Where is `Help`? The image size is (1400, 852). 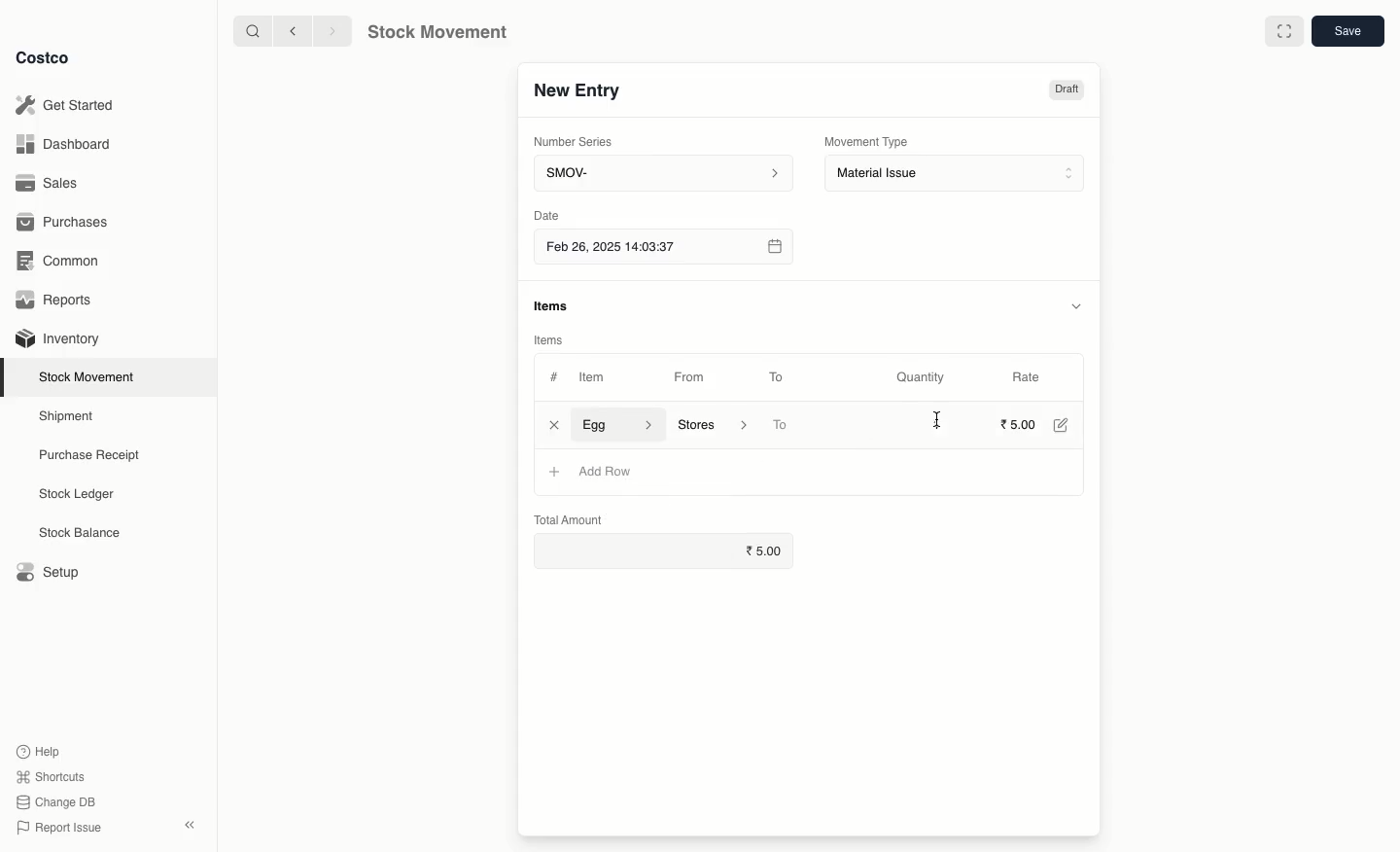 Help is located at coordinates (40, 749).